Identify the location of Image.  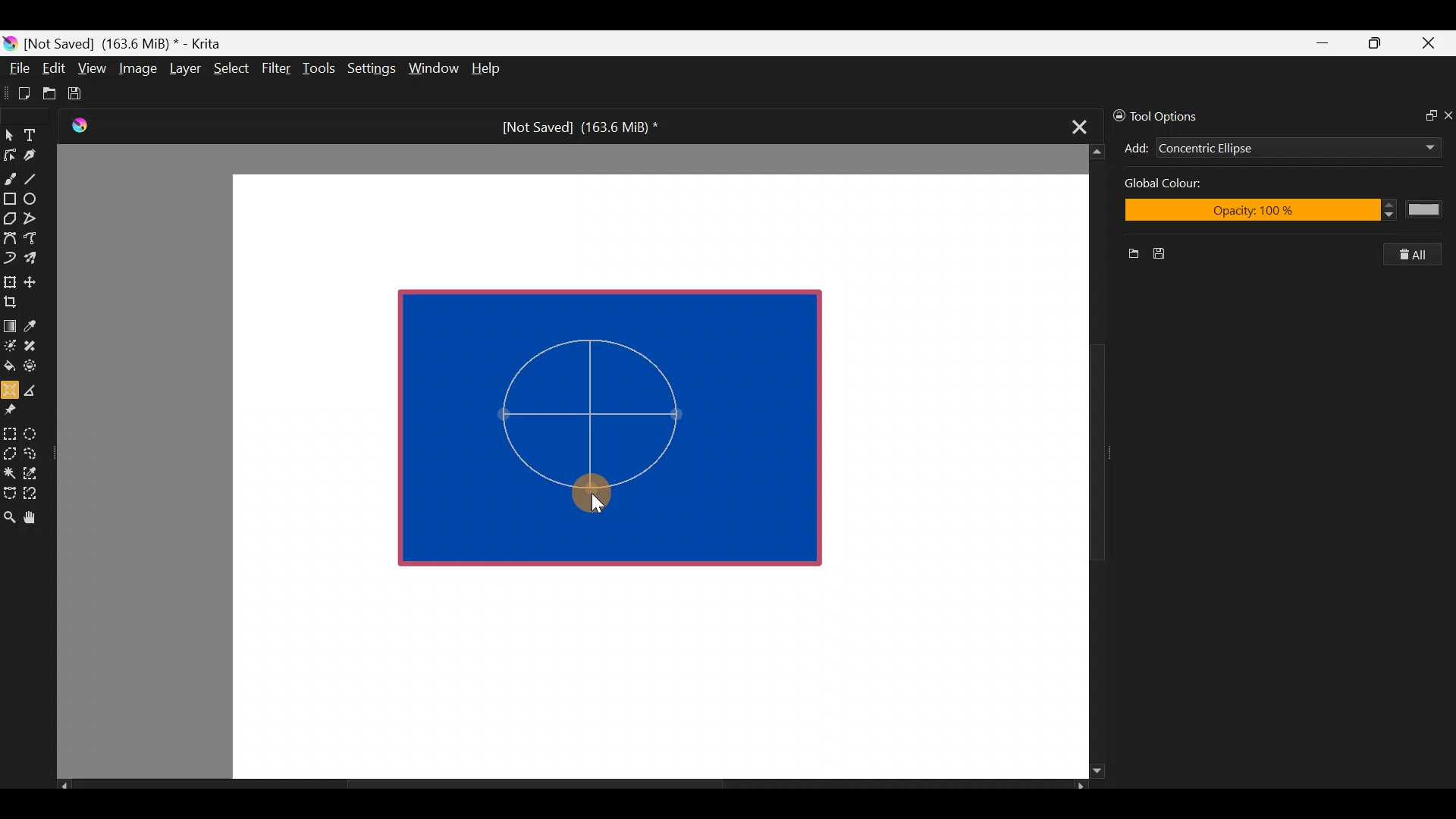
(137, 68).